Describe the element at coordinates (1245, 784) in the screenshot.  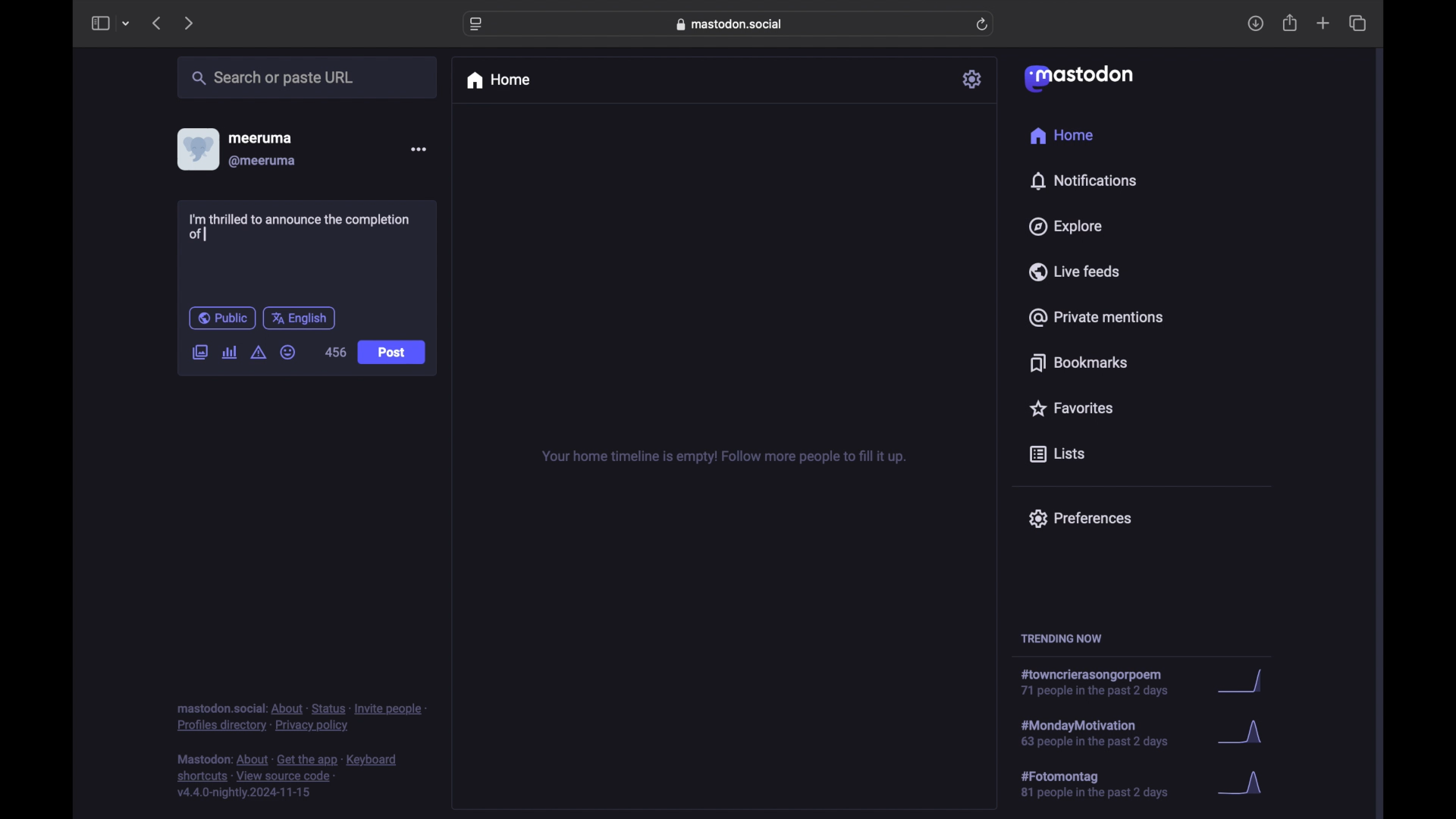
I see `graph` at that location.